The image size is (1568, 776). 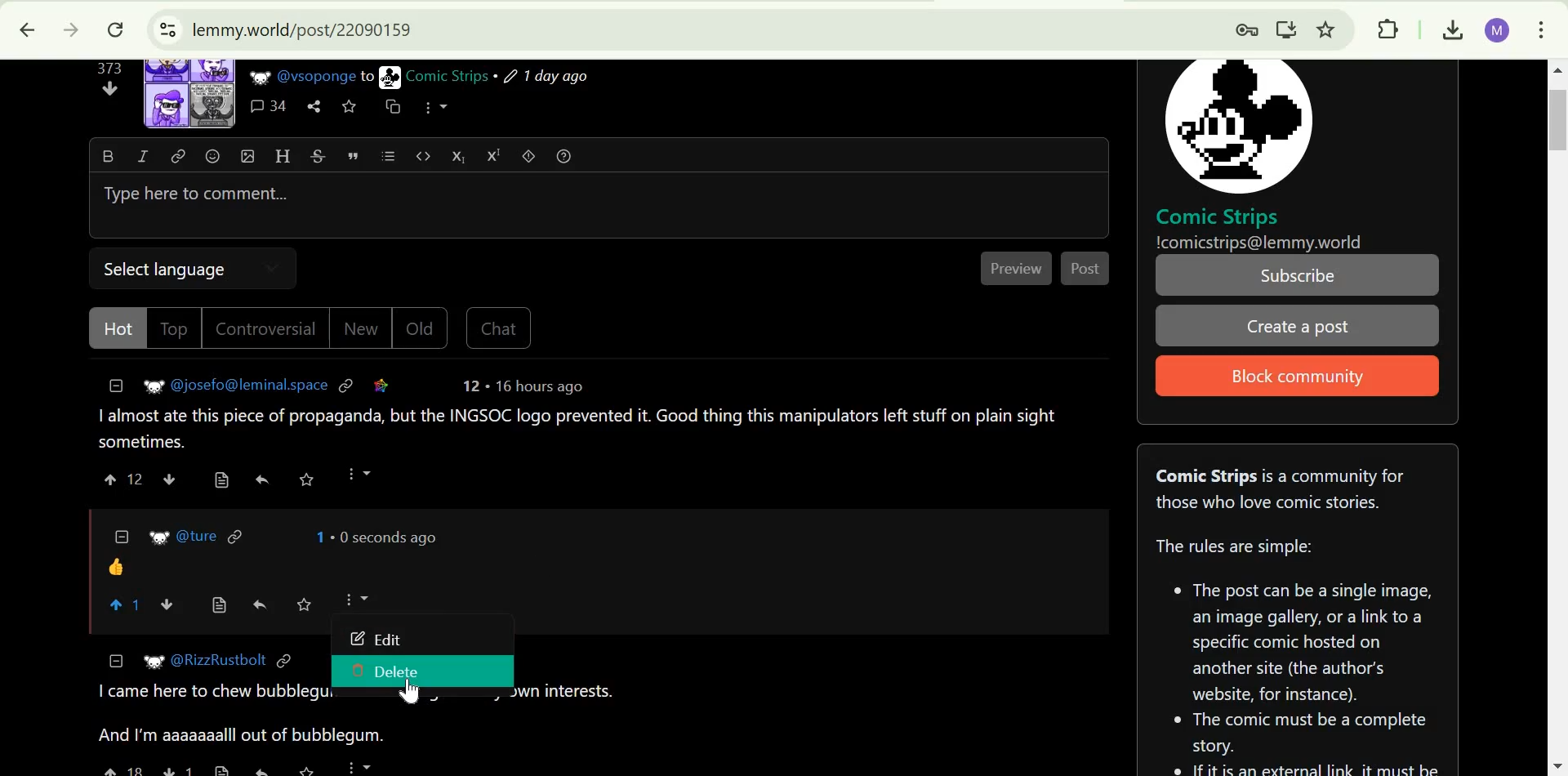 What do you see at coordinates (385, 537) in the screenshot?
I see `0 seconds ago` at bounding box center [385, 537].